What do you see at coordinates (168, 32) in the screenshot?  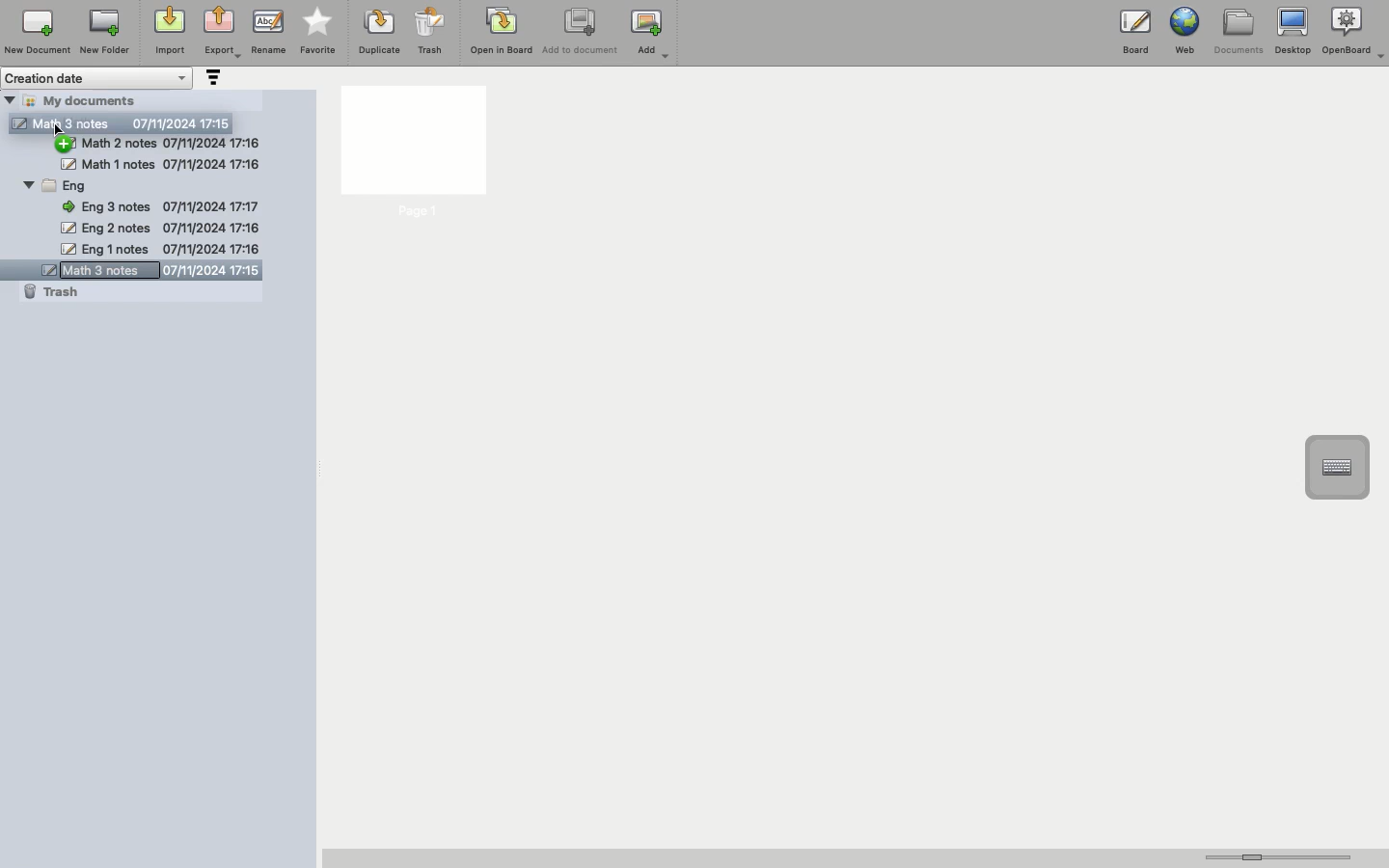 I see `Import` at bounding box center [168, 32].